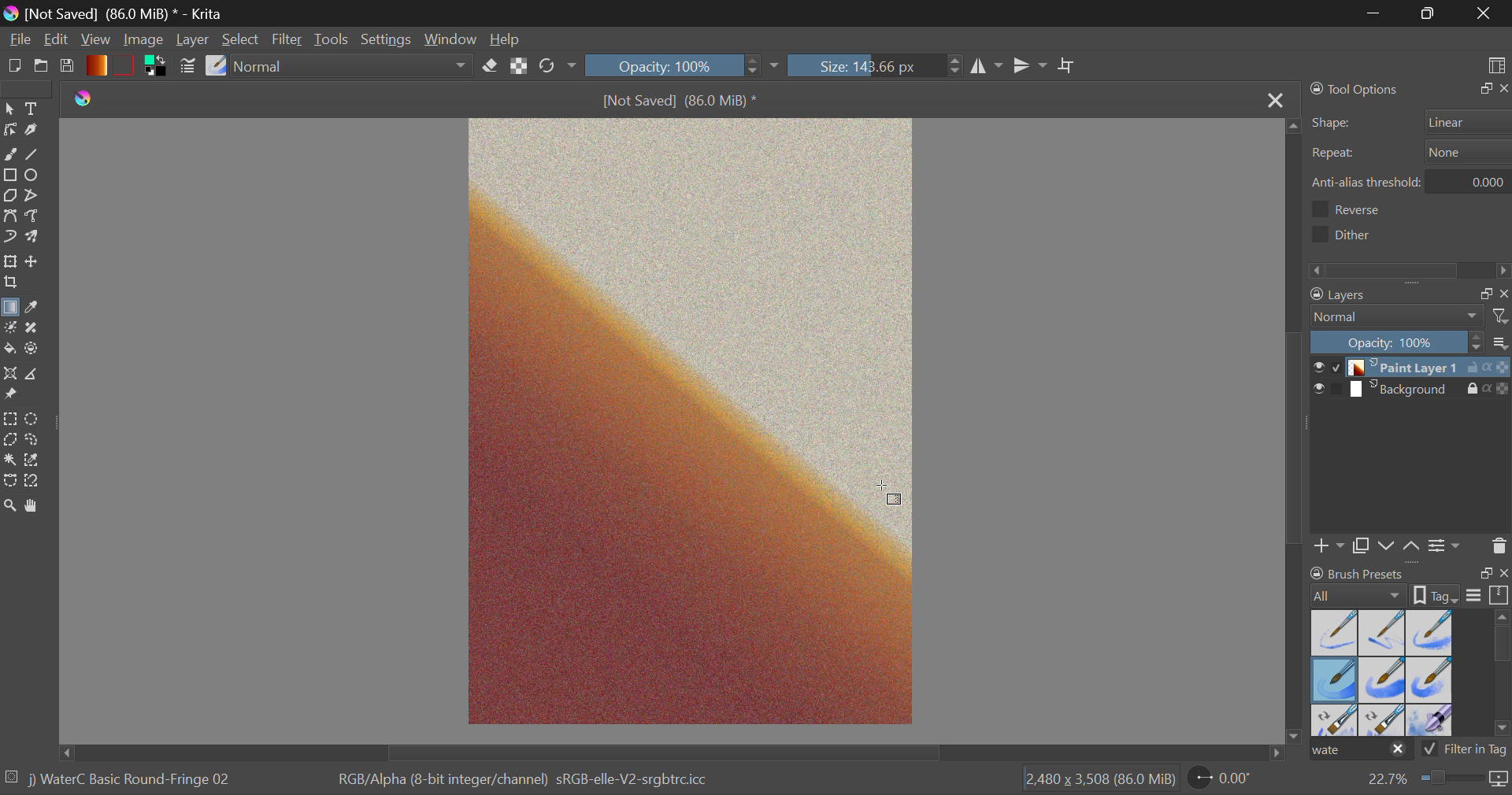 This screenshot has width=1512, height=795. Describe the element at coordinates (216, 67) in the screenshot. I see `Brush Presets` at that location.